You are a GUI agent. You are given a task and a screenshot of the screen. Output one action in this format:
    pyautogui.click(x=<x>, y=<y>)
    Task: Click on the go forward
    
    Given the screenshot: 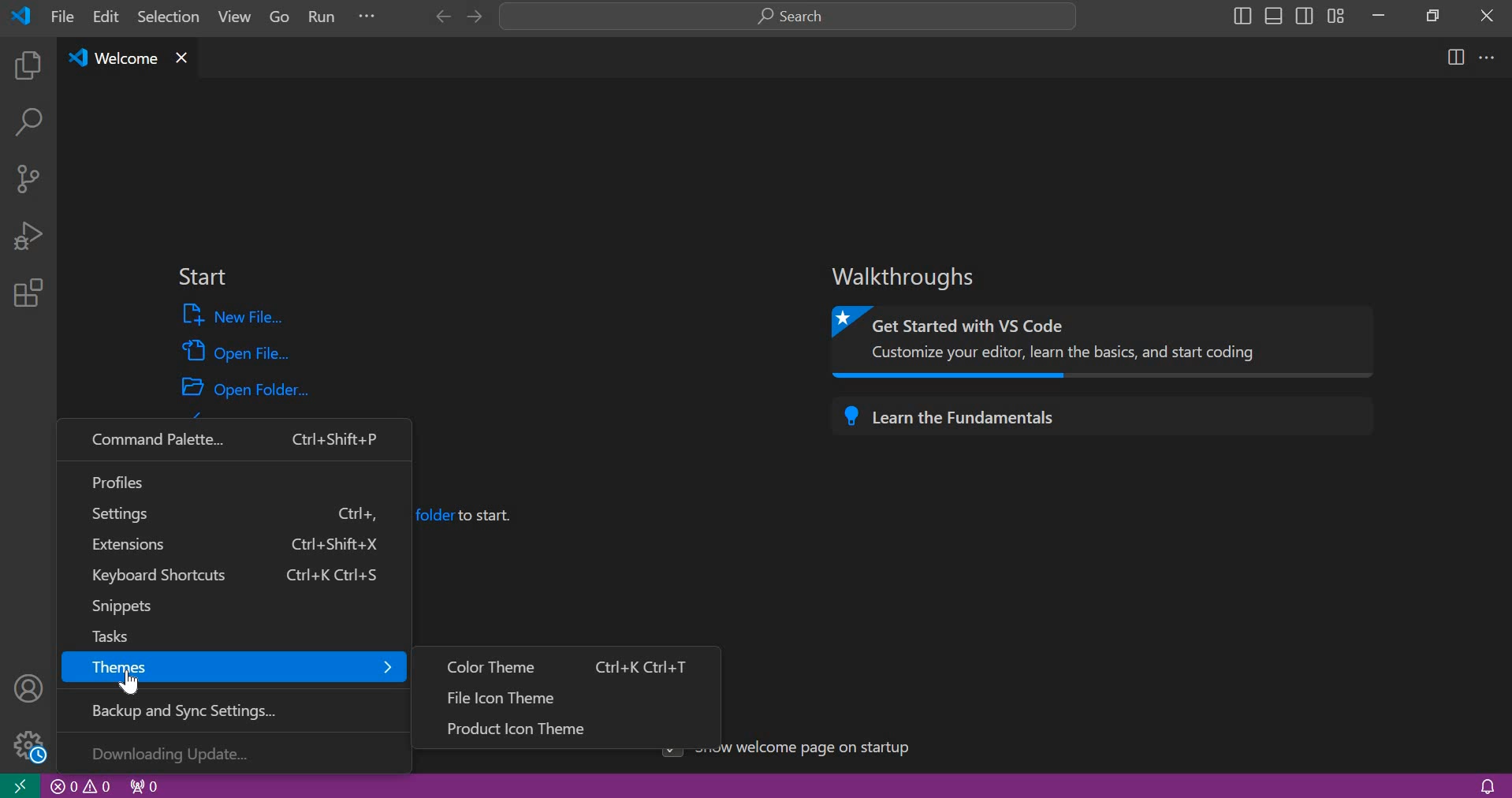 What is the action you would take?
    pyautogui.click(x=472, y=17)
    